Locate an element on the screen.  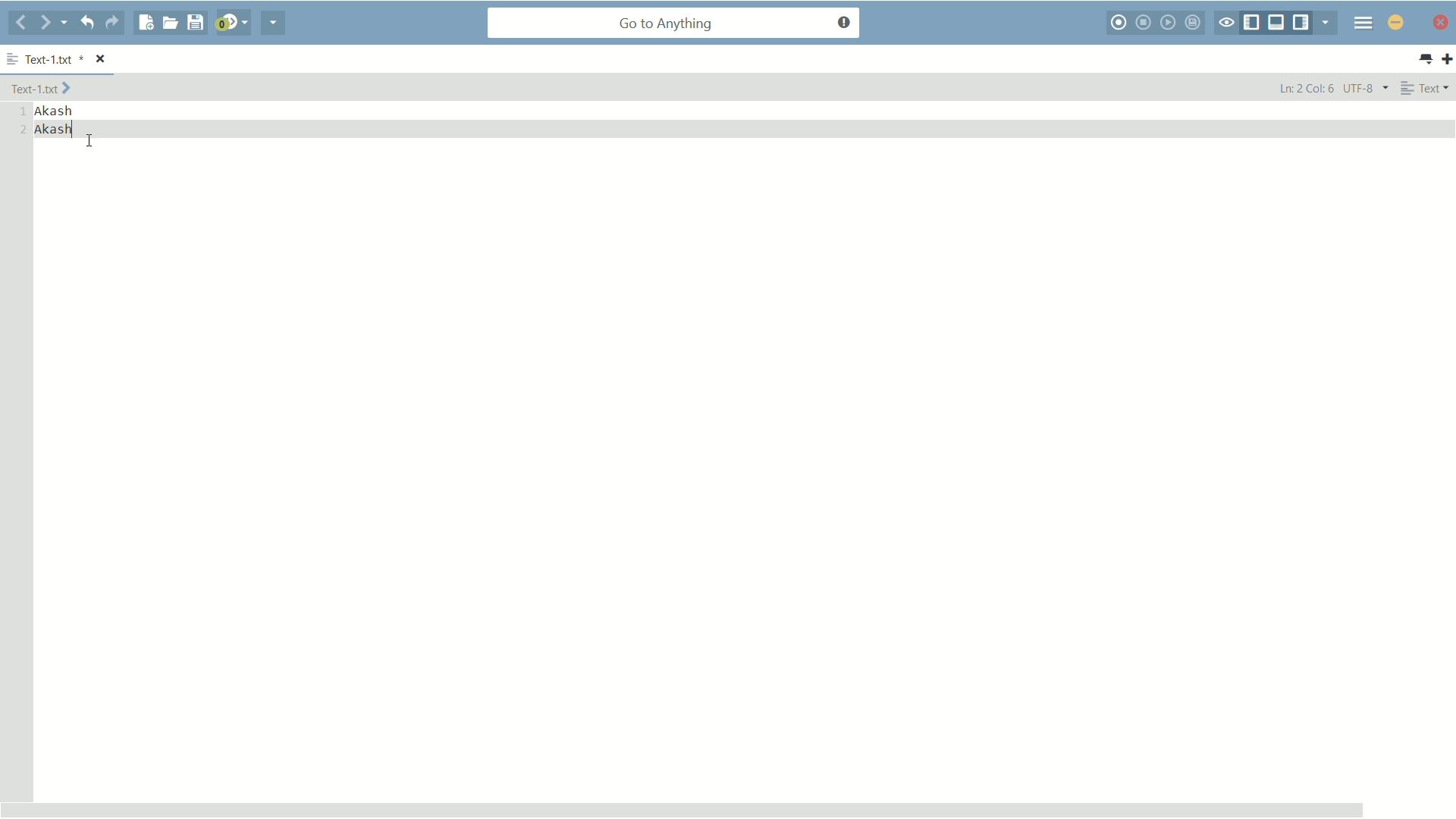
new tab is located at coordinates (1447, 59).